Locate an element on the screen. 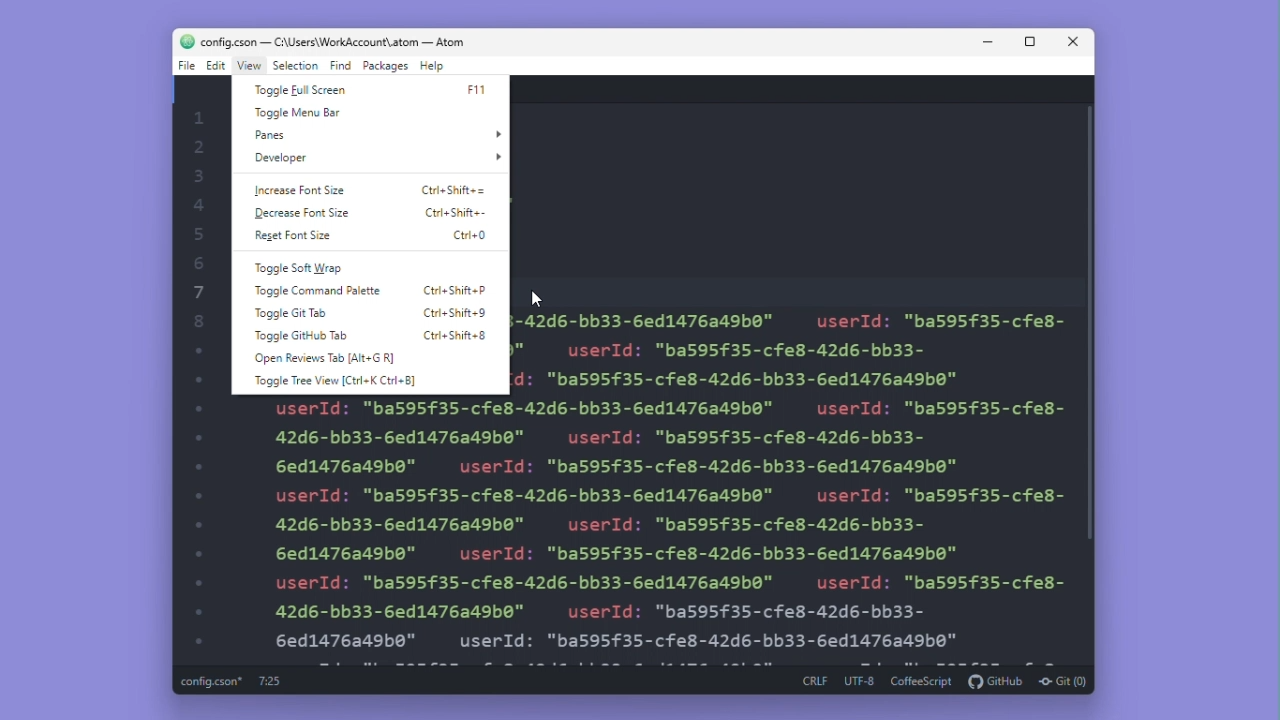  1 2 3 4 5 6 7 is located at coordinates (201, 368).